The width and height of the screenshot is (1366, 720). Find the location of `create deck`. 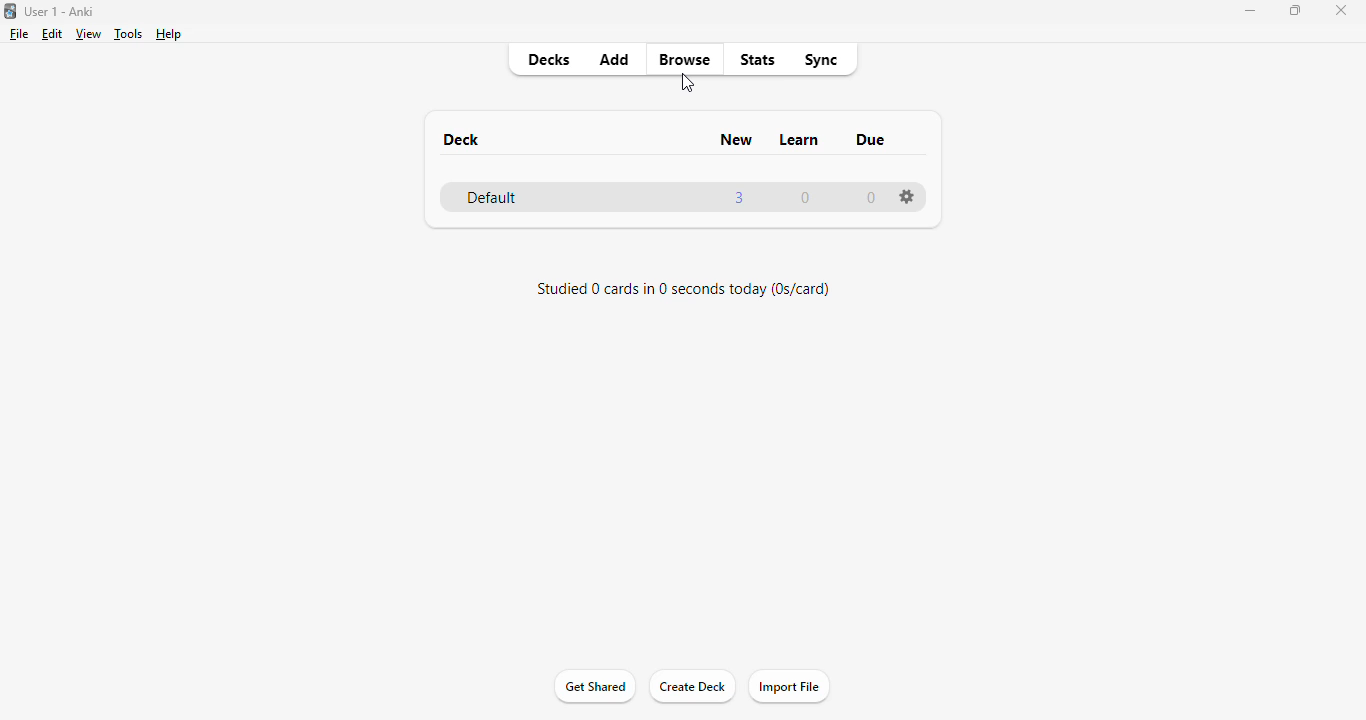

create deck is located at coordinates (691, 687).